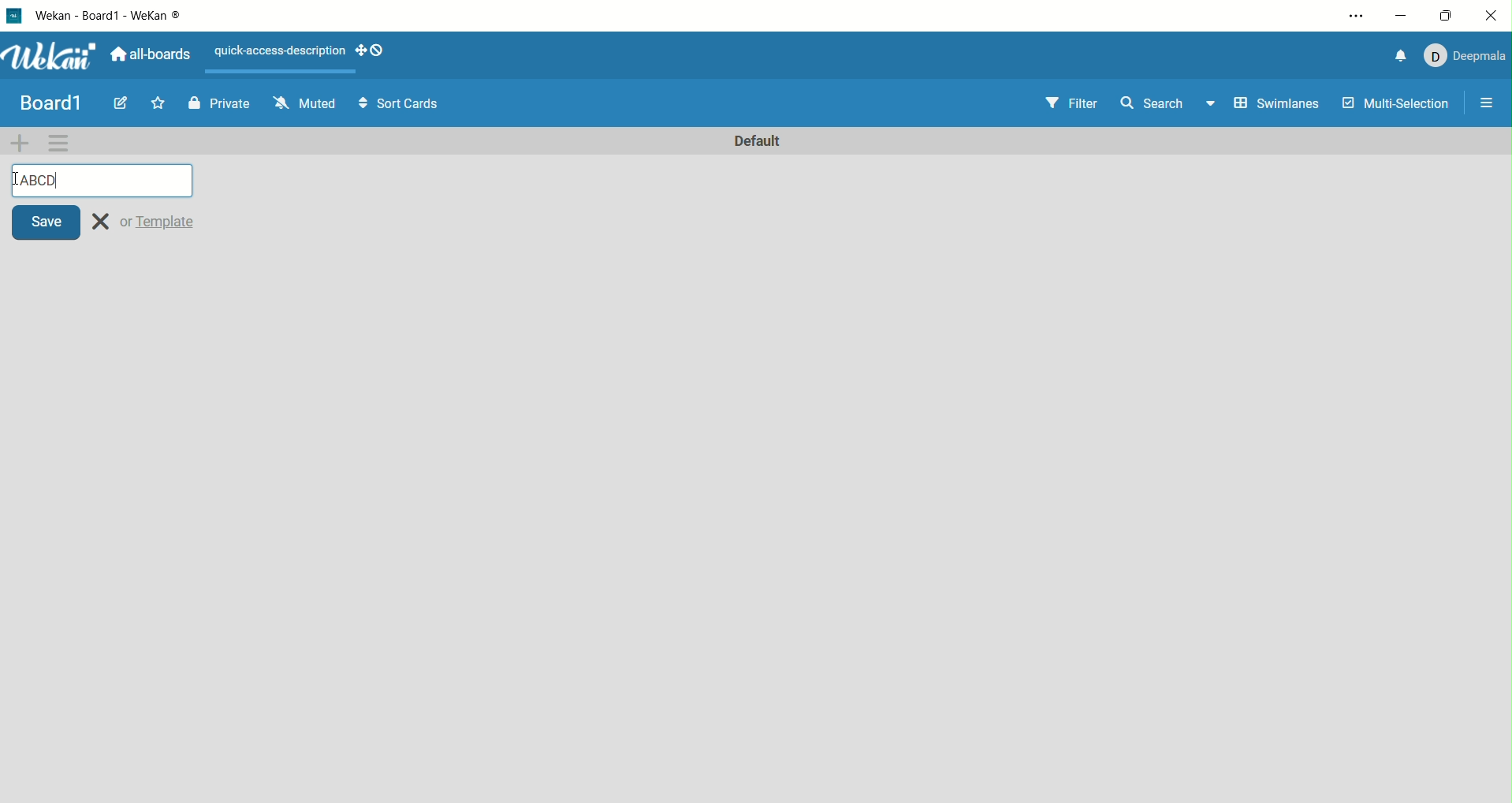  What do you see at coordinates (1275, 106) in the screenshot?
I see `swimlanes` at bounding box center [1275, 106].